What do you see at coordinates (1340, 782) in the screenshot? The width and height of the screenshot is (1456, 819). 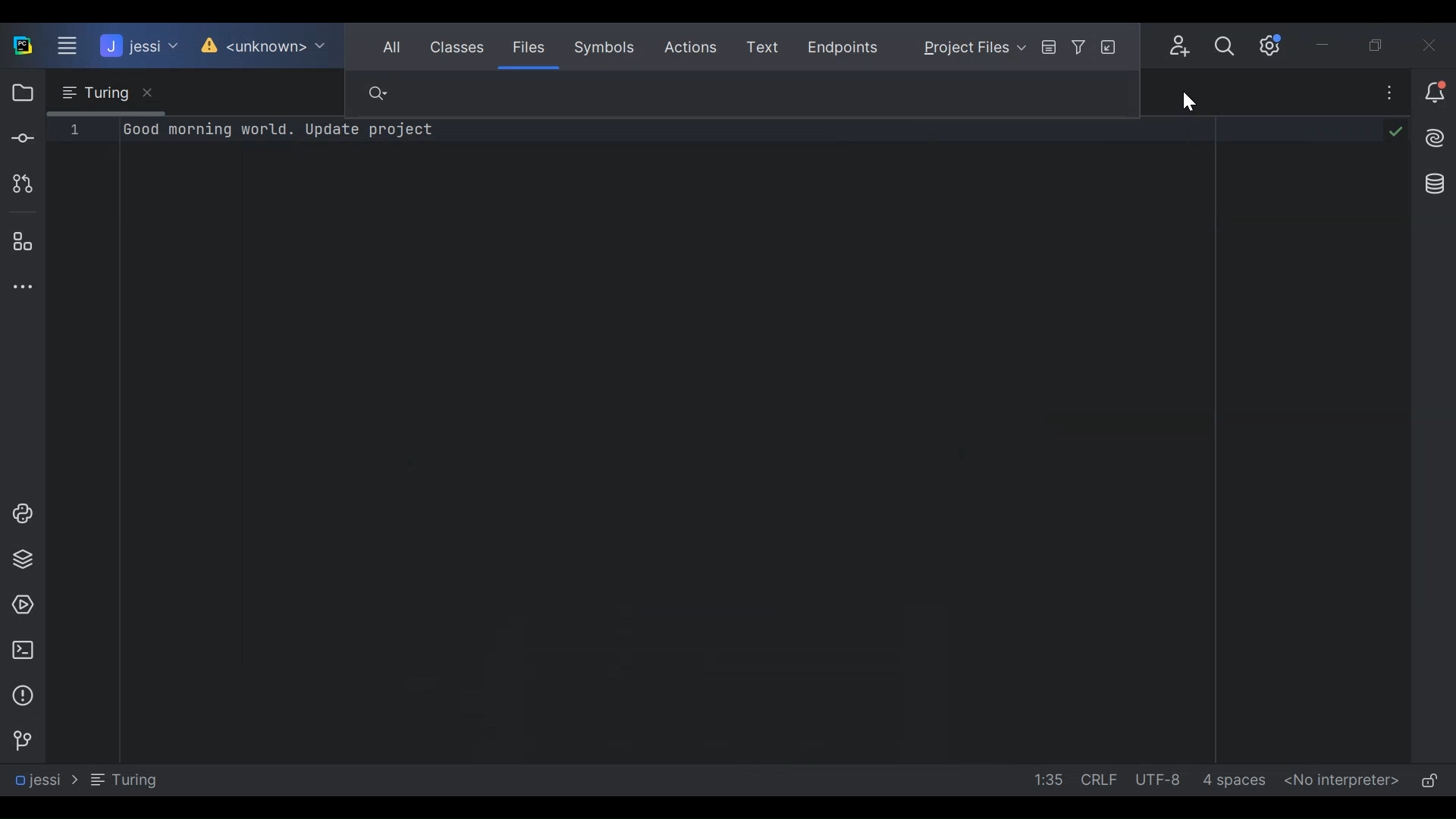 I see `No Interpreter` at bounding box center [1340, 782].